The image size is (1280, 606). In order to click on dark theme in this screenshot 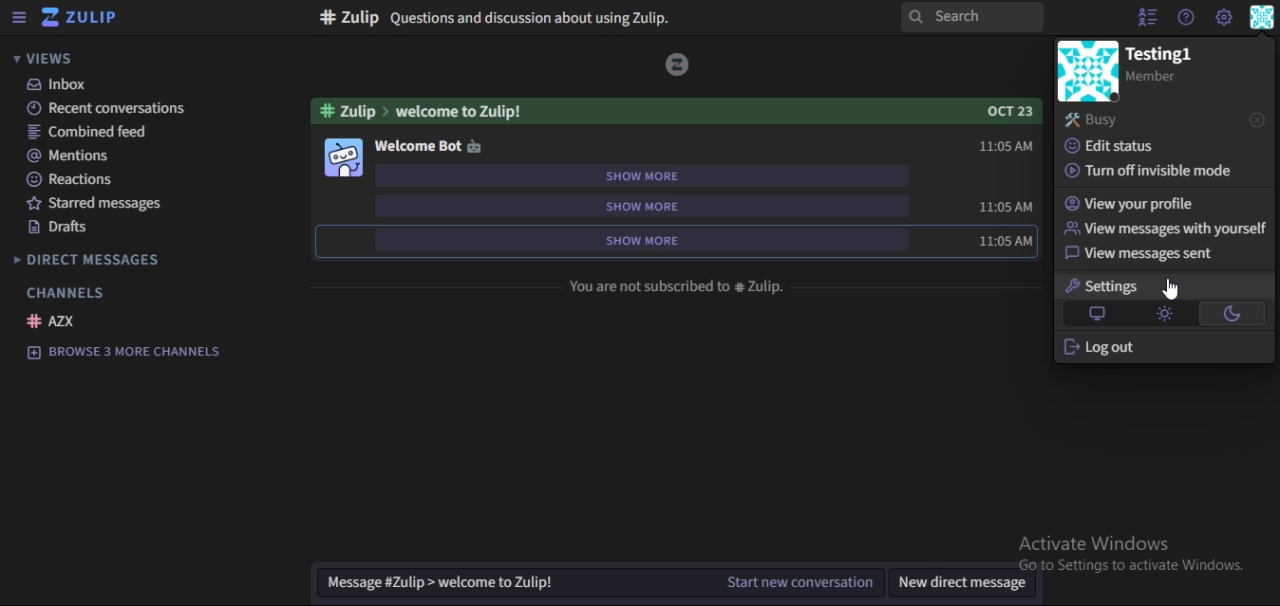, I will do `click(1232, 316)`.